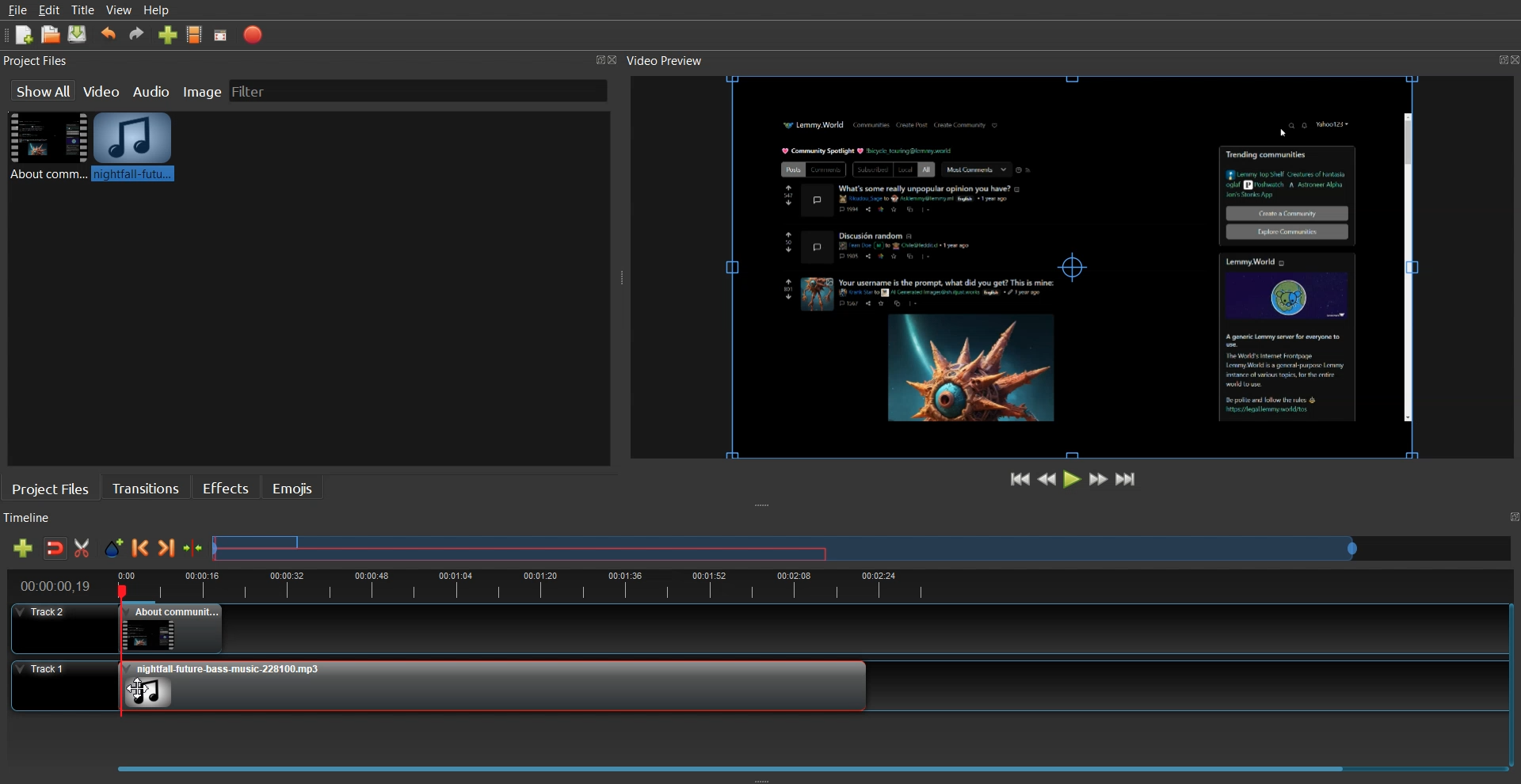 The image size is (1521, 784). Describe the element at coordinates (55, 548) in the screenshot. I see `Disable snaping` at that location.